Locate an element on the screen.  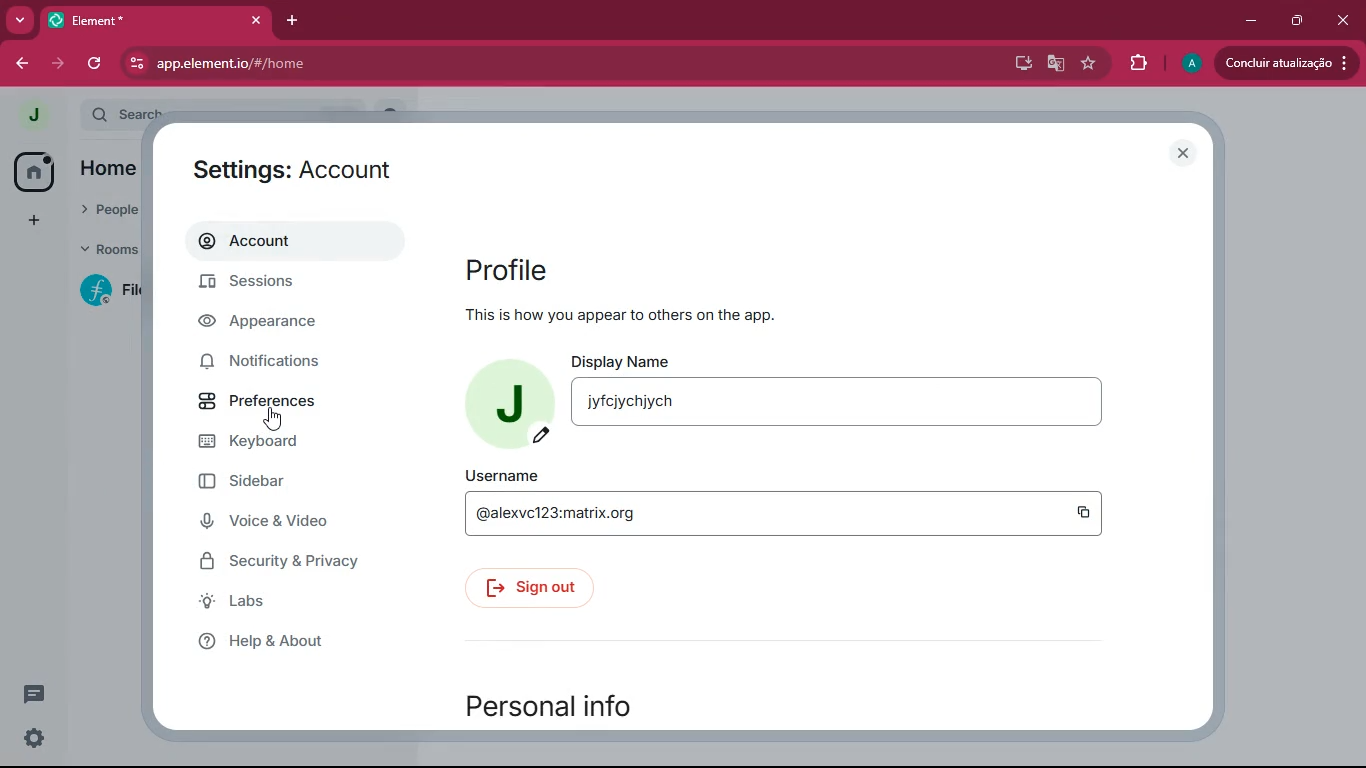
close is located at coordinates (1185, 154).